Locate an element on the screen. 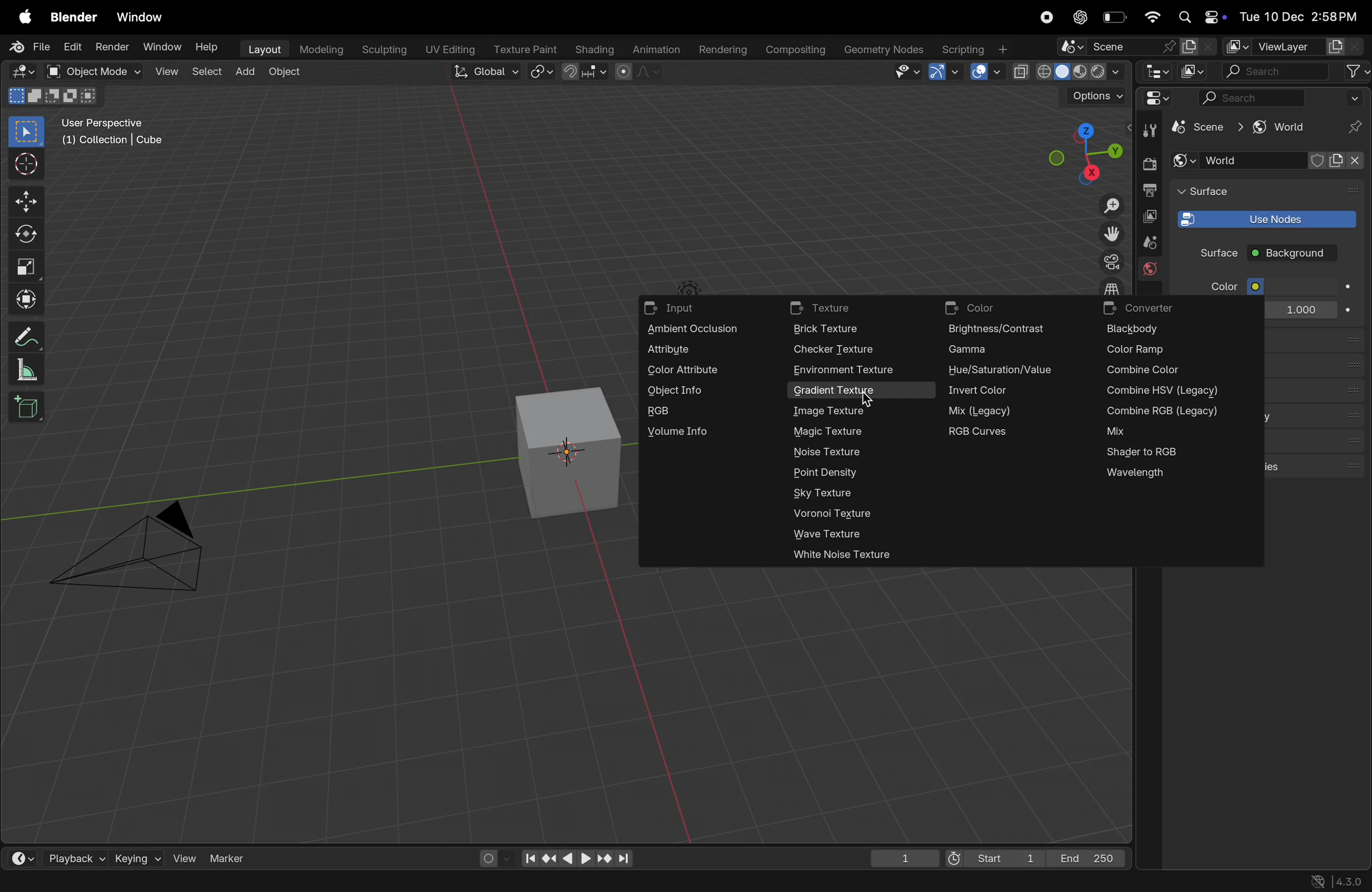 The width and height of the screenshot is (1372, 892). copy is located at coordinates (1149, 217).